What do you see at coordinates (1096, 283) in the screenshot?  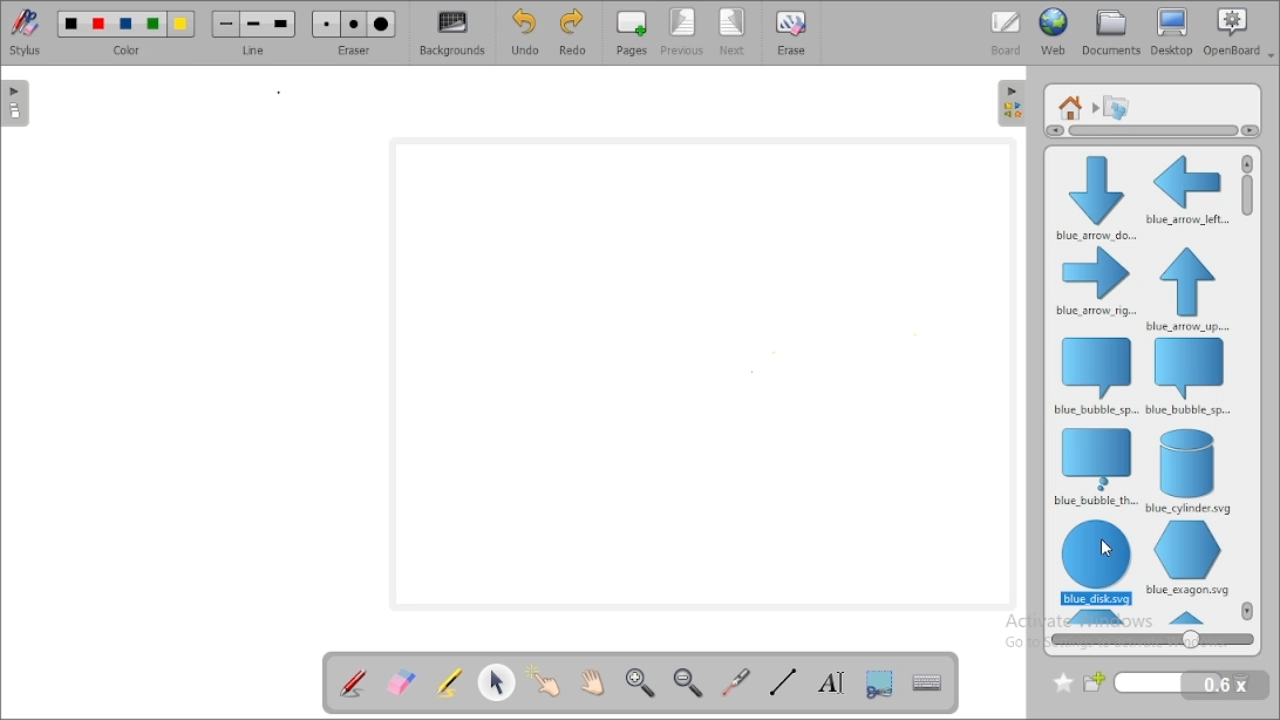 I see `blue arrow right` at bounding box center [1096, 283].